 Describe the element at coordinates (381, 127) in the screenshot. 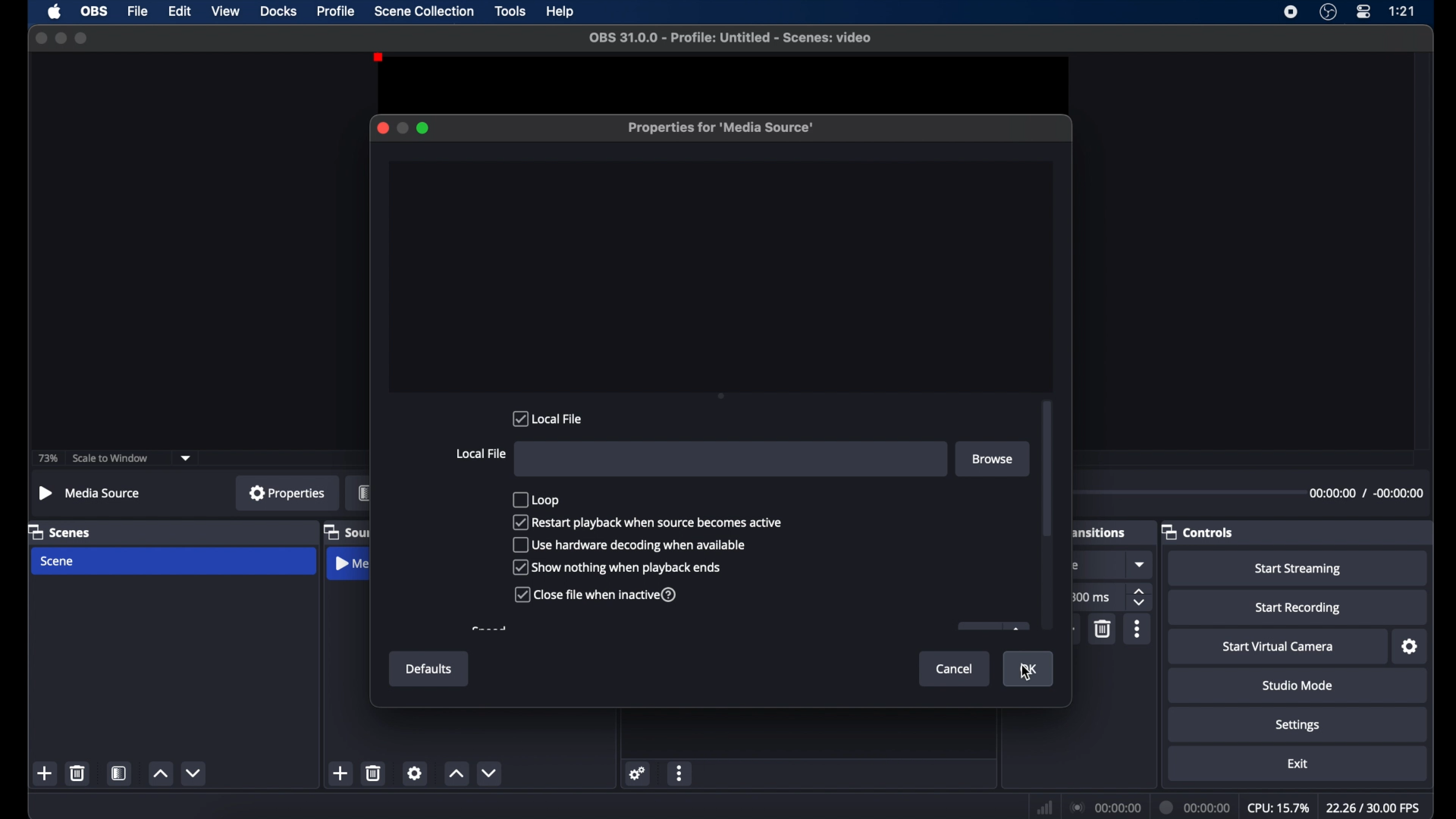

I see `close` at that location.